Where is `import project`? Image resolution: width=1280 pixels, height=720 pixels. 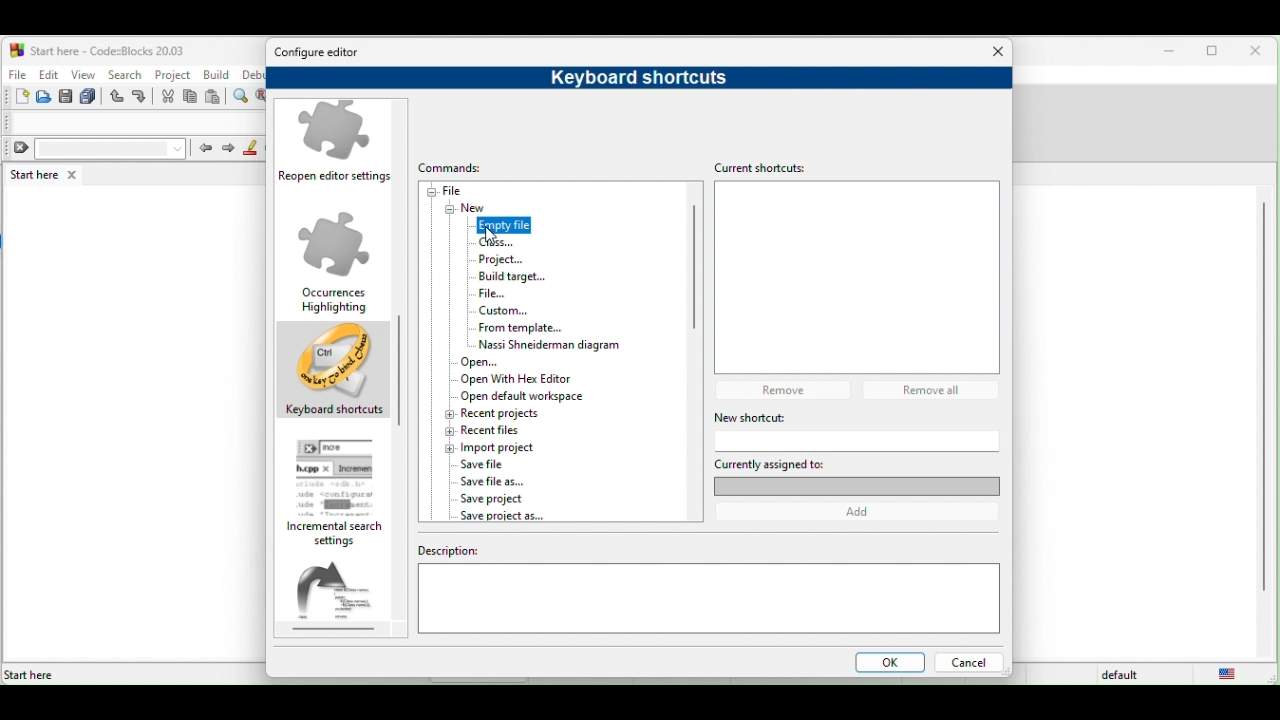 import project is located at coordinates (497, 447).